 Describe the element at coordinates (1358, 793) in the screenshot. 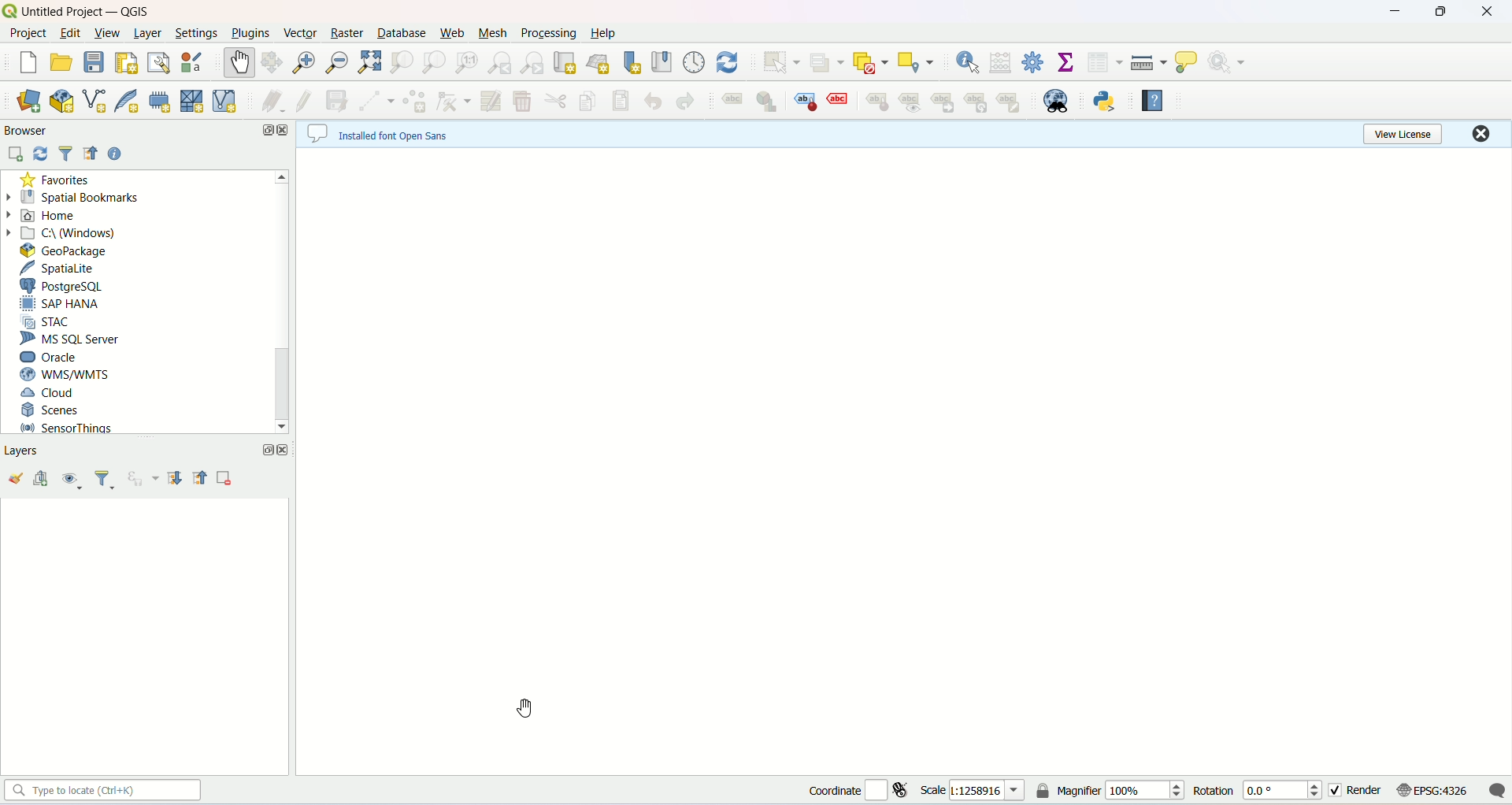

I see `render` at that location.